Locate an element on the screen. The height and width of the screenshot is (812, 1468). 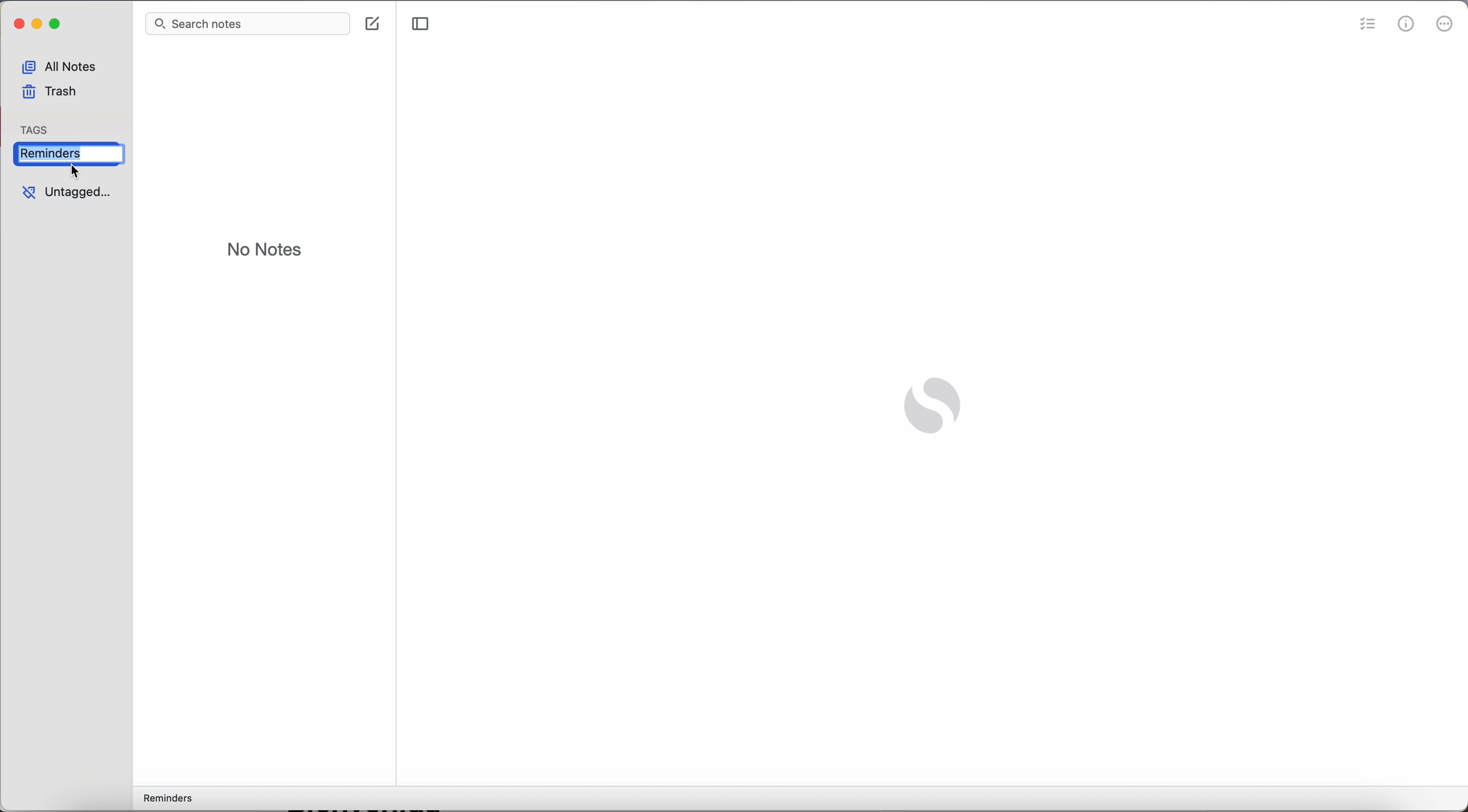
no notes is located at coordinates (265, 251).